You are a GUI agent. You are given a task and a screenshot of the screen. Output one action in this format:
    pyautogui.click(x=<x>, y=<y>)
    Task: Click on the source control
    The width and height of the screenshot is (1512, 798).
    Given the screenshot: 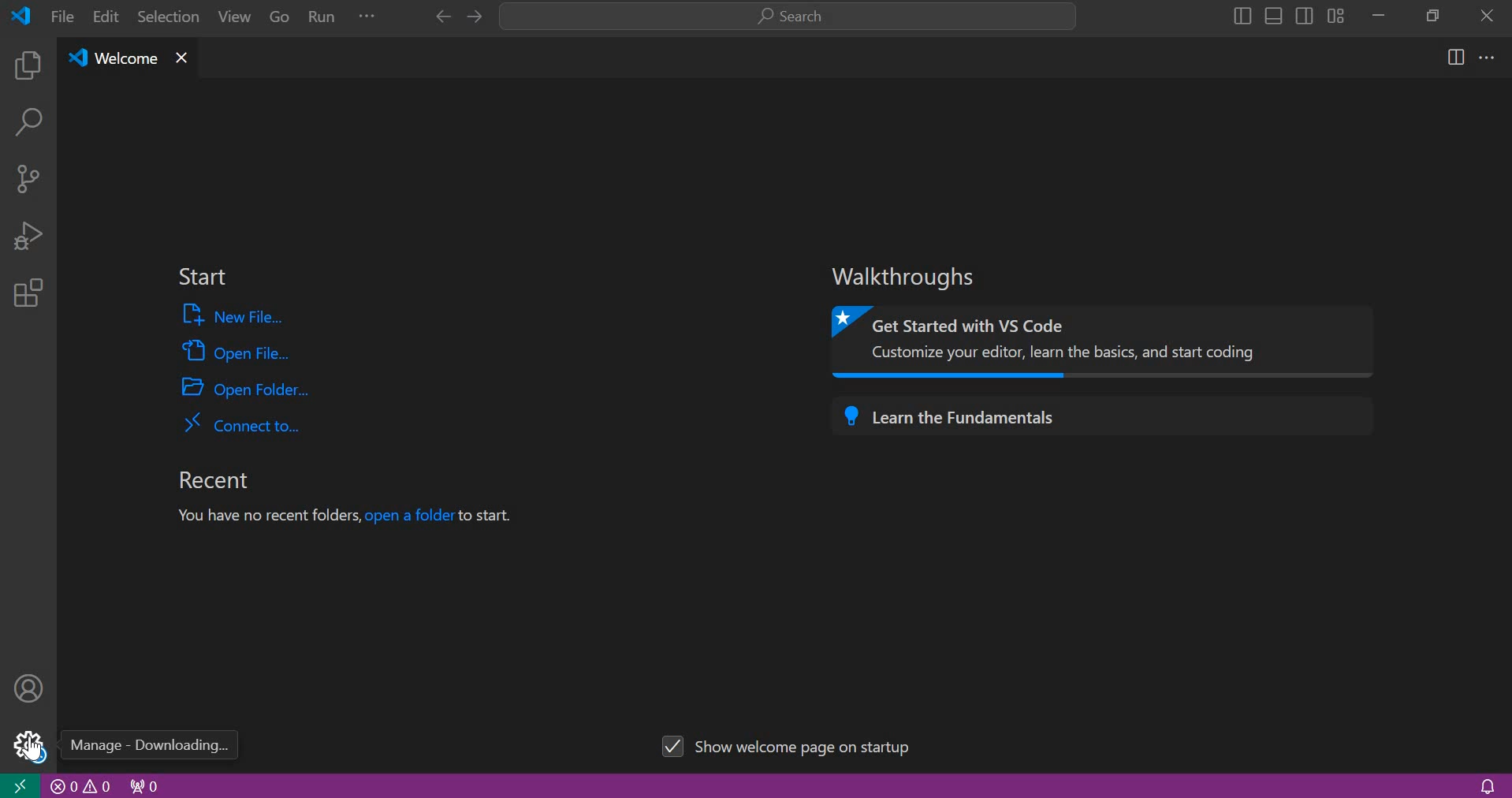 What is the action you would take?
    pyautogui.click(x=28, y=177)
    